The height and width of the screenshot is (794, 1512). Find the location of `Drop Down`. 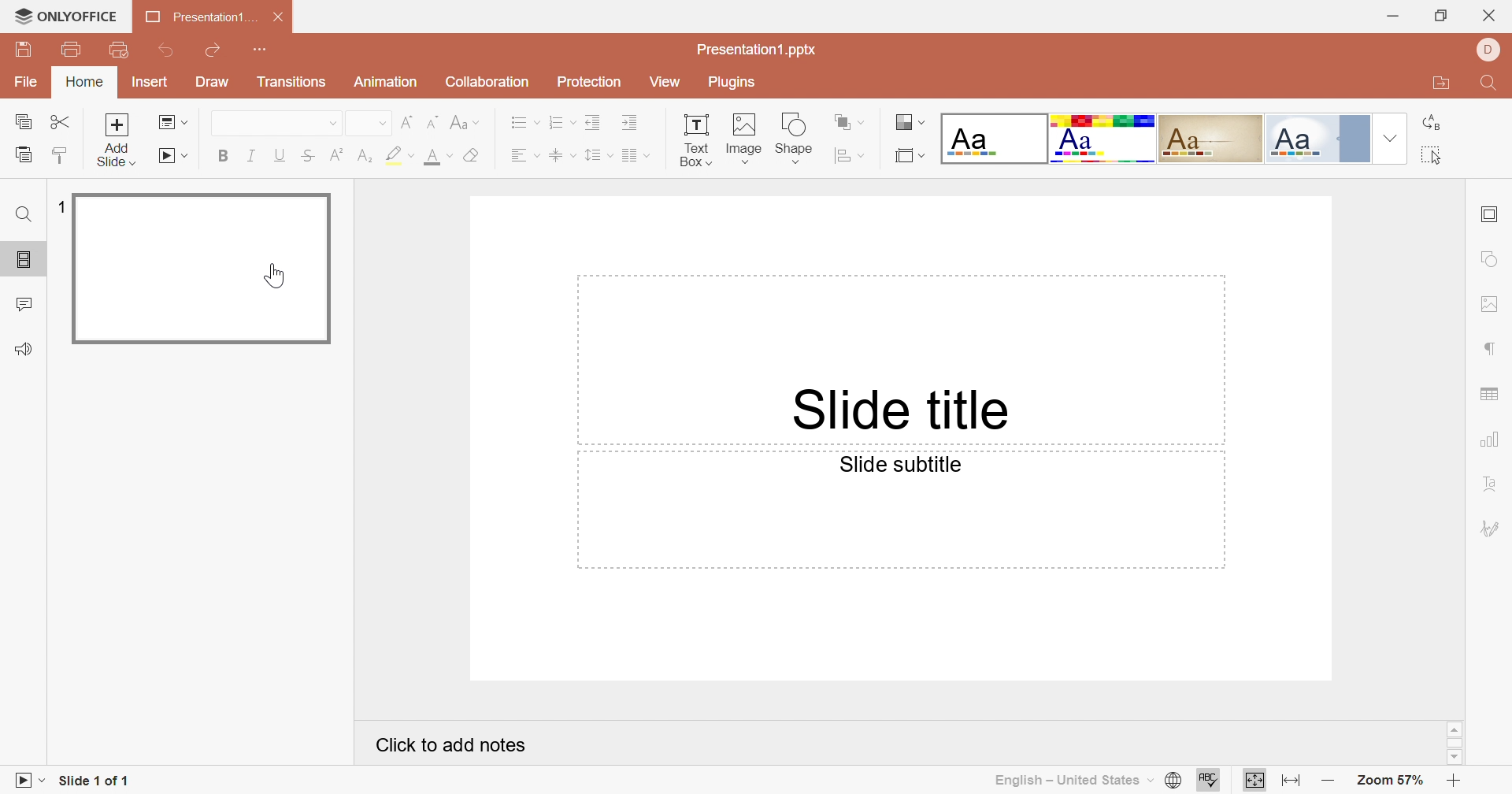

Drop Down is located at coordinates (381, 122).